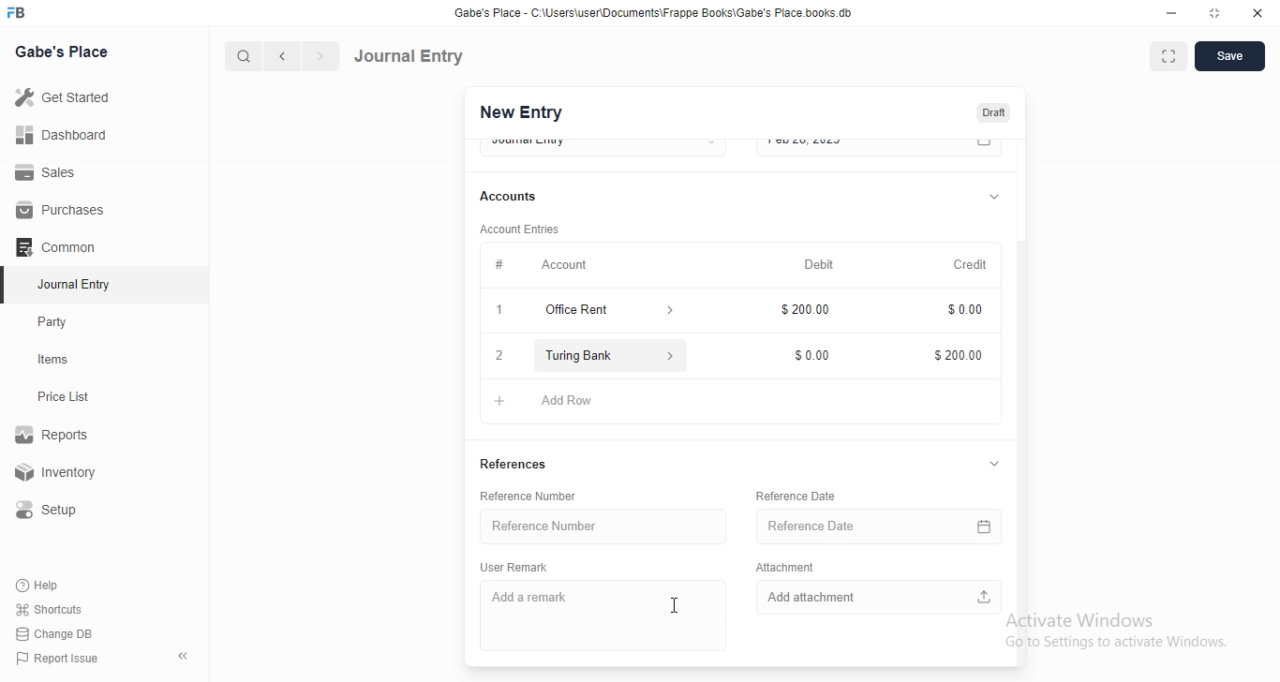 This screenshot has height=682, width=1280. Describe the element at coordinates (733, 403) in the screenshot. I see `+ AddRow` at that location.